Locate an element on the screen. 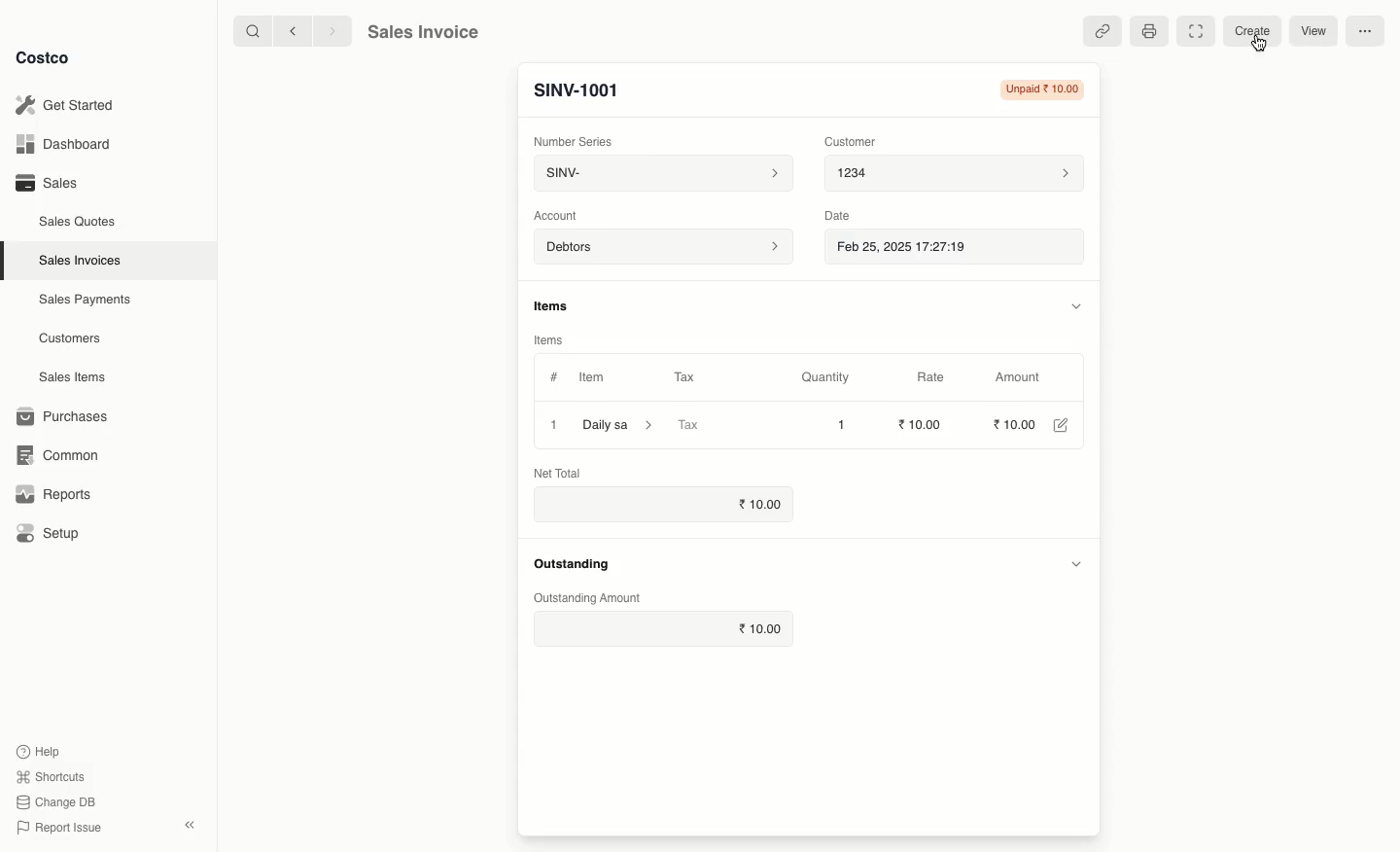 The image size is (1400, 852). Collapse is located at coordinates (189, 825).